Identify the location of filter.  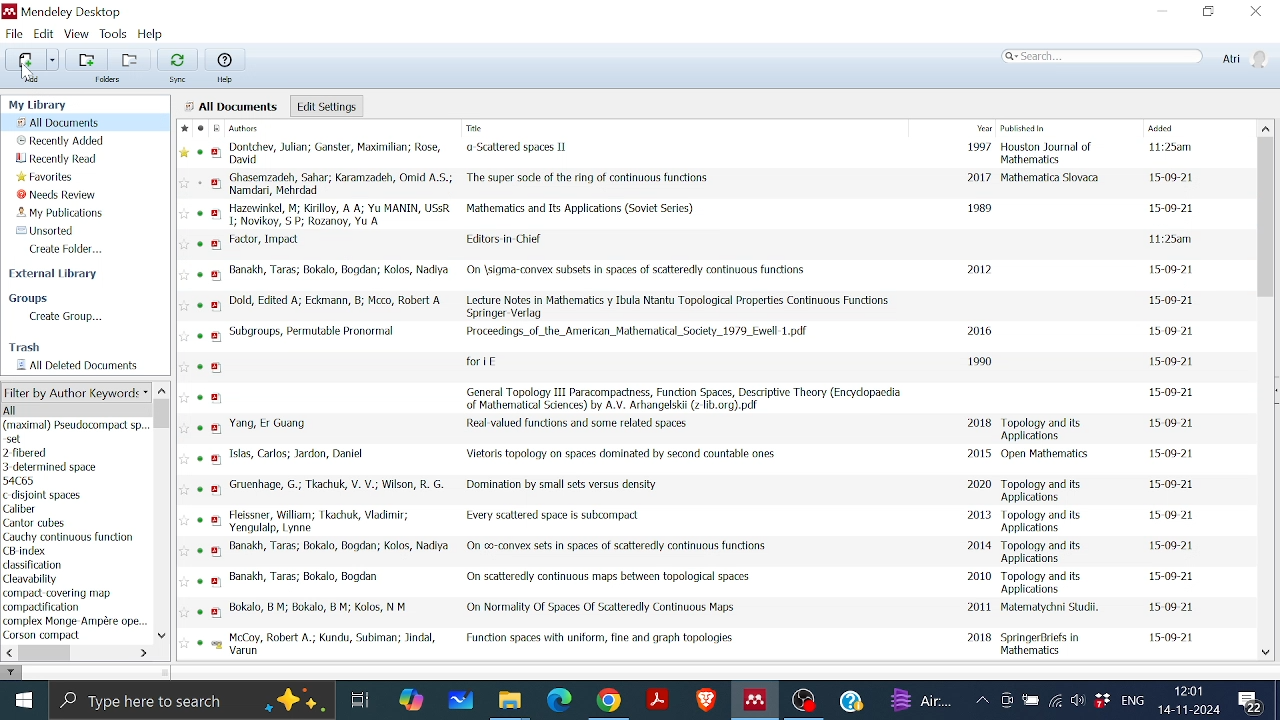
(11, 673).